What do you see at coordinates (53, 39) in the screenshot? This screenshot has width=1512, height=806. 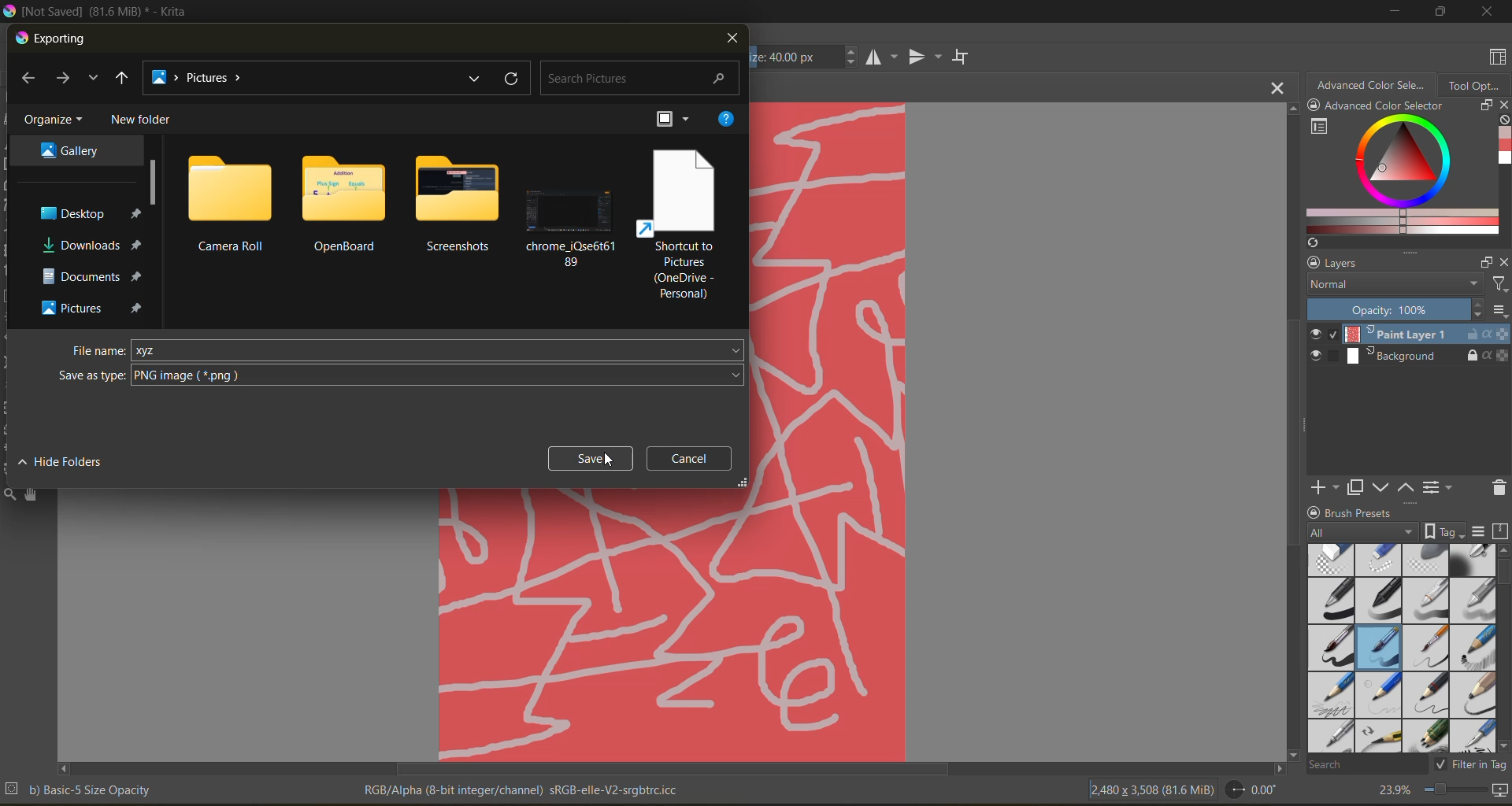 I see `exporting` at bounding box center [53, 39].